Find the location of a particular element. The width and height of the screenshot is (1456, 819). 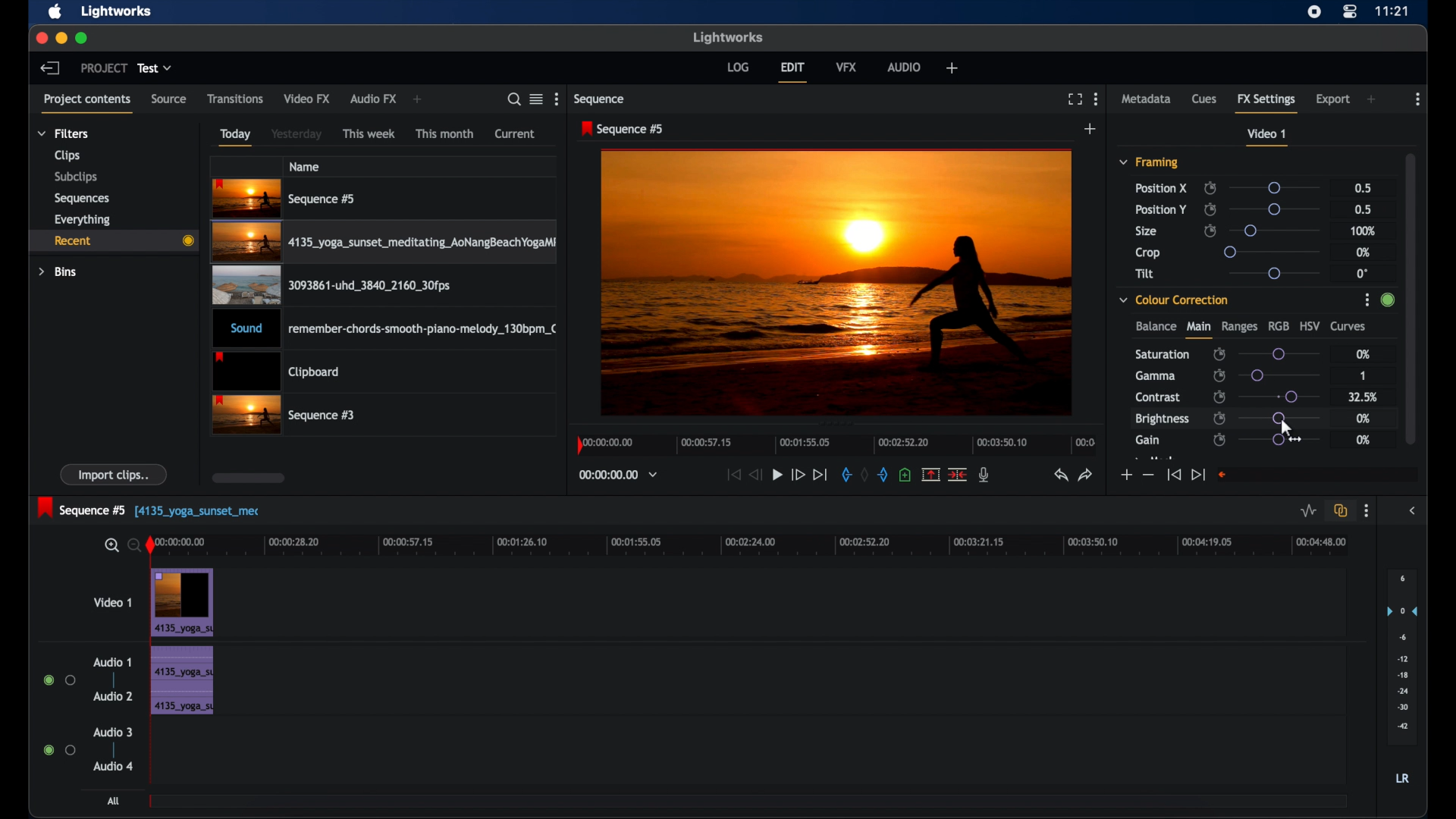

slider is located at coordinates (1276, 209).